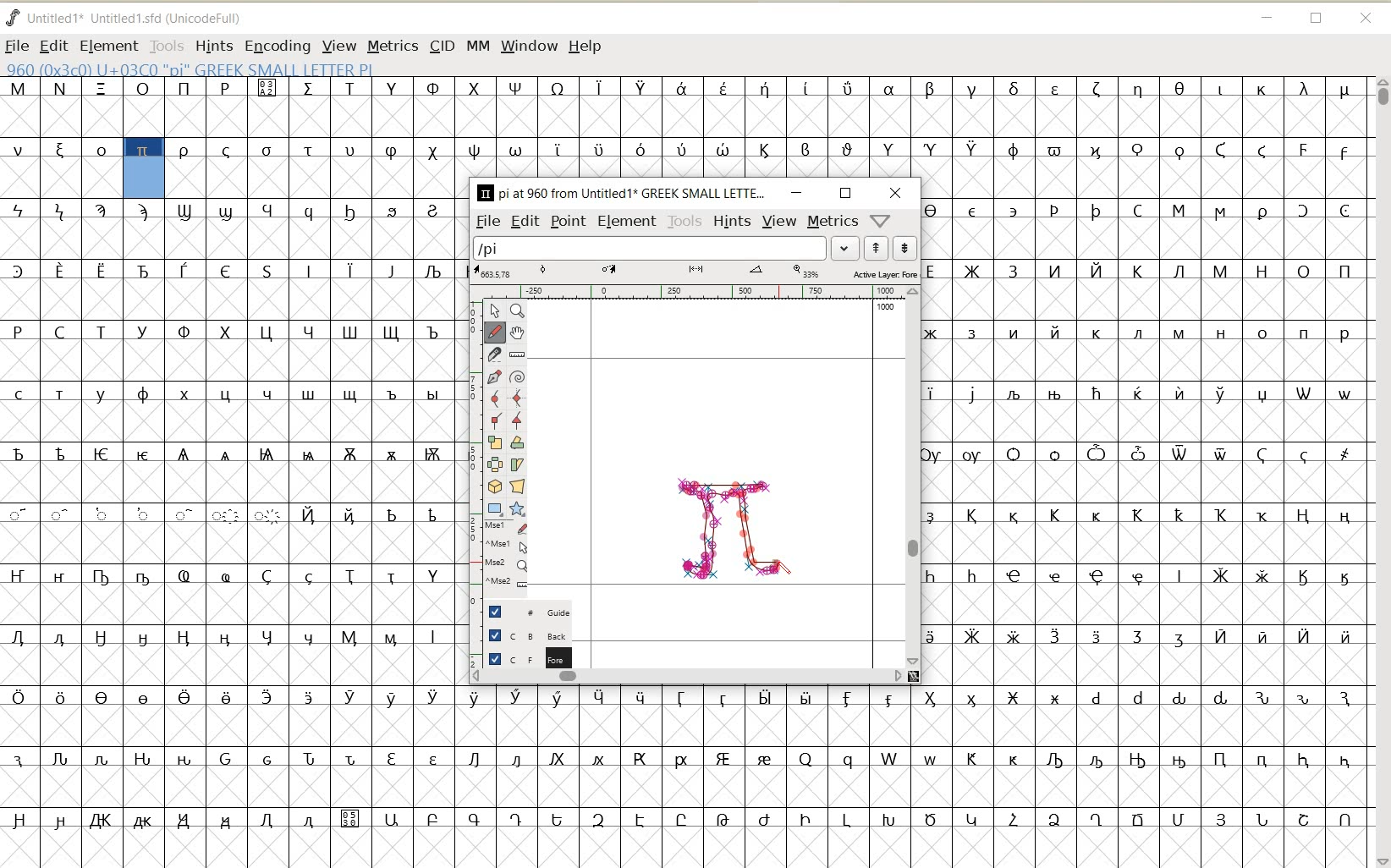 Image resolution: width=1391 pixels, height=868 pixels. Describe the element at coordinates (694, 272) in the screenshot. I see `ACTIVE LAYER` at that location.